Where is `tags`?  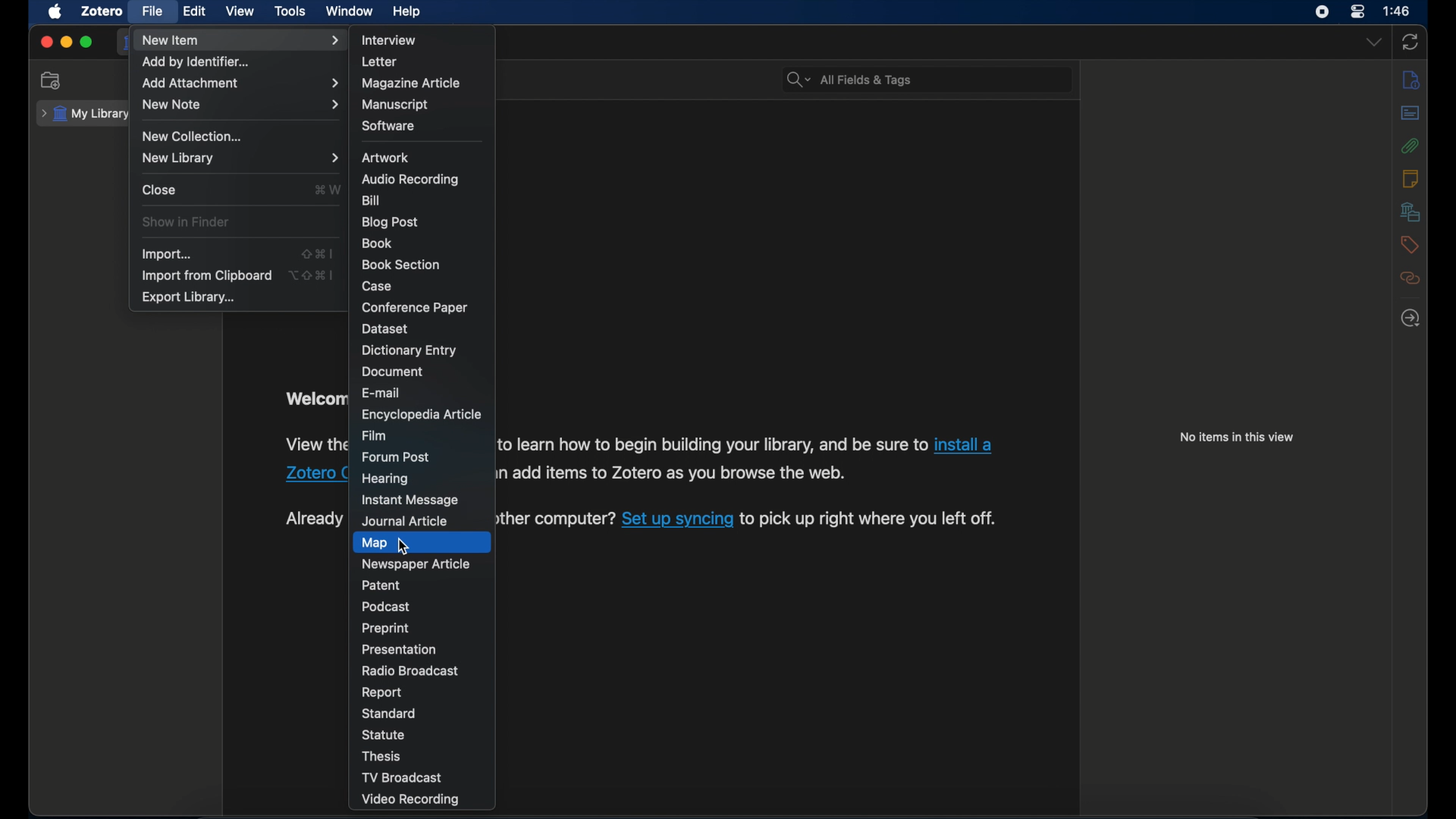
tags is located at coordinates (1411, 245).